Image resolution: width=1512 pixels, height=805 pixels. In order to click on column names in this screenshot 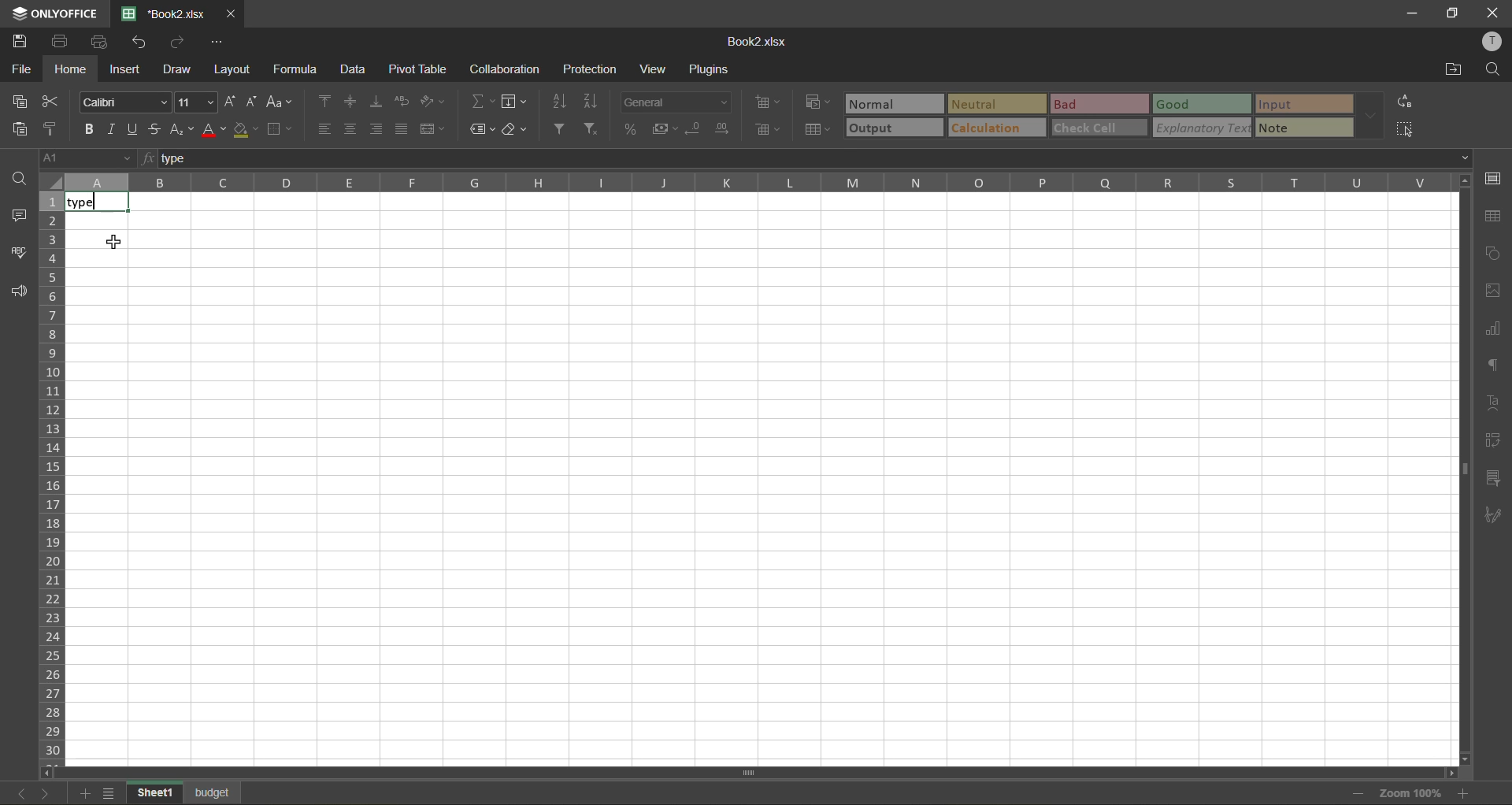, I will do `click(755, 184)`.